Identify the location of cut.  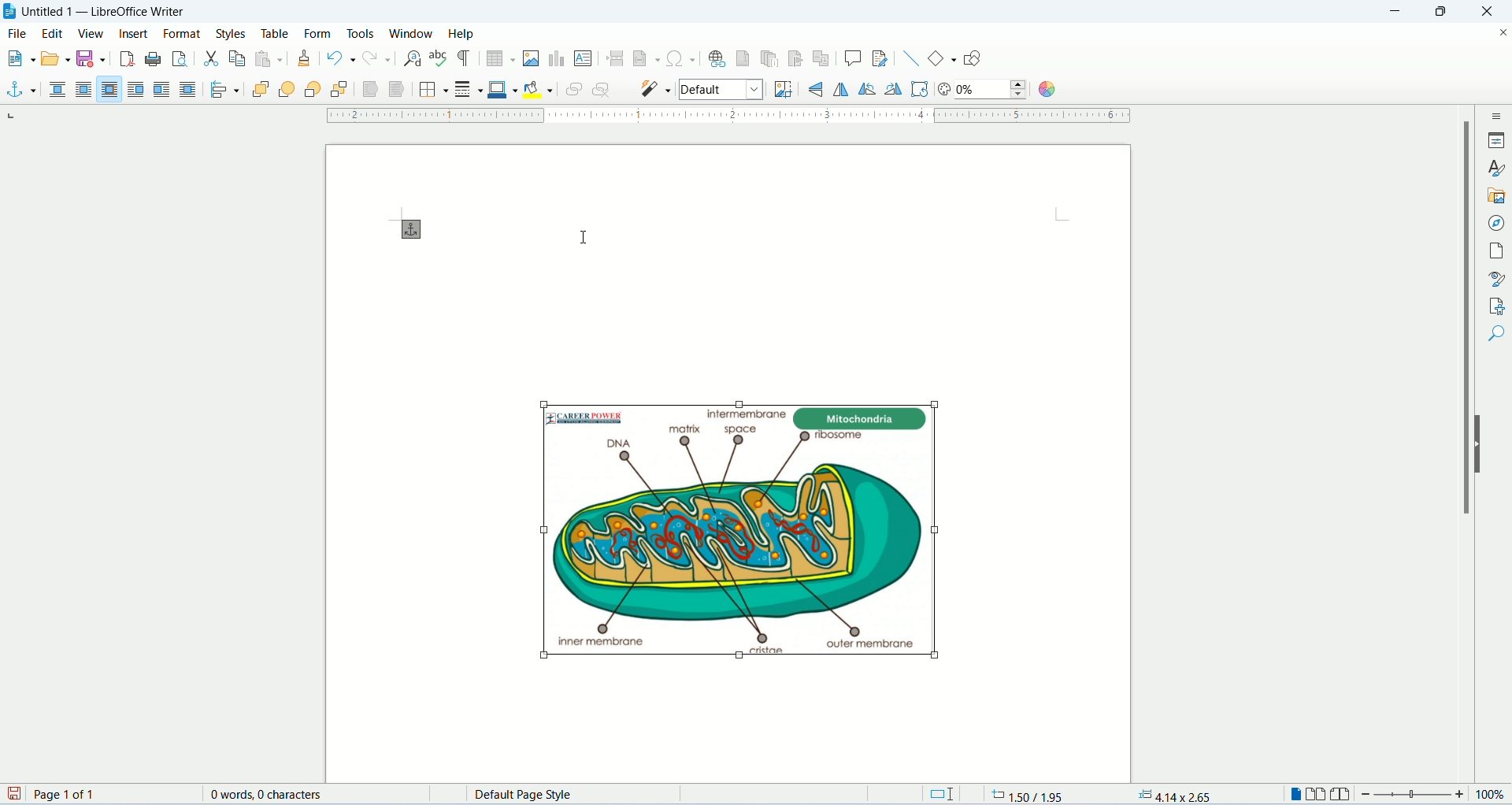
(212, 60).